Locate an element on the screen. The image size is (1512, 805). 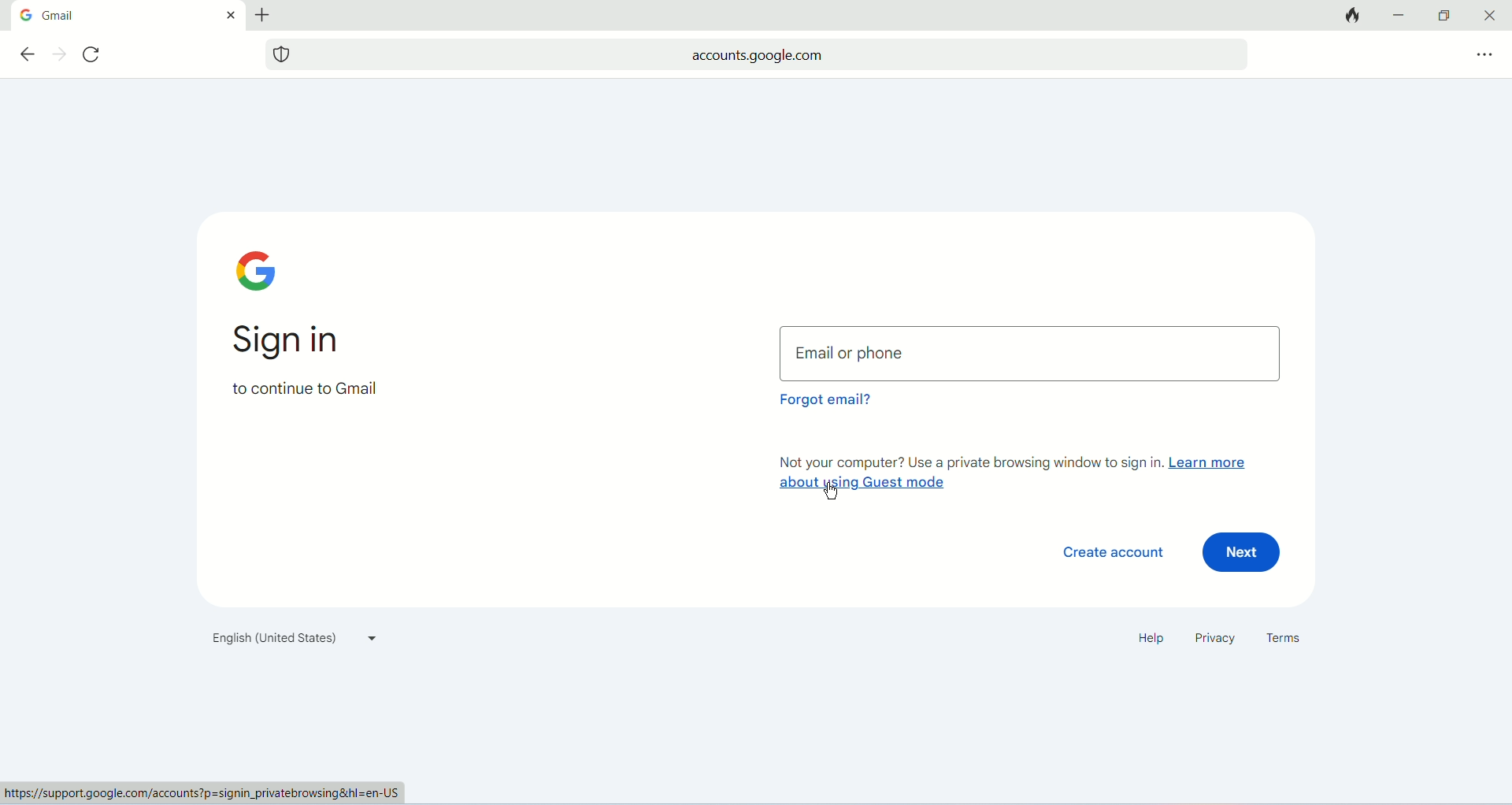
mouse pointer is located at coordinates (825, 489).